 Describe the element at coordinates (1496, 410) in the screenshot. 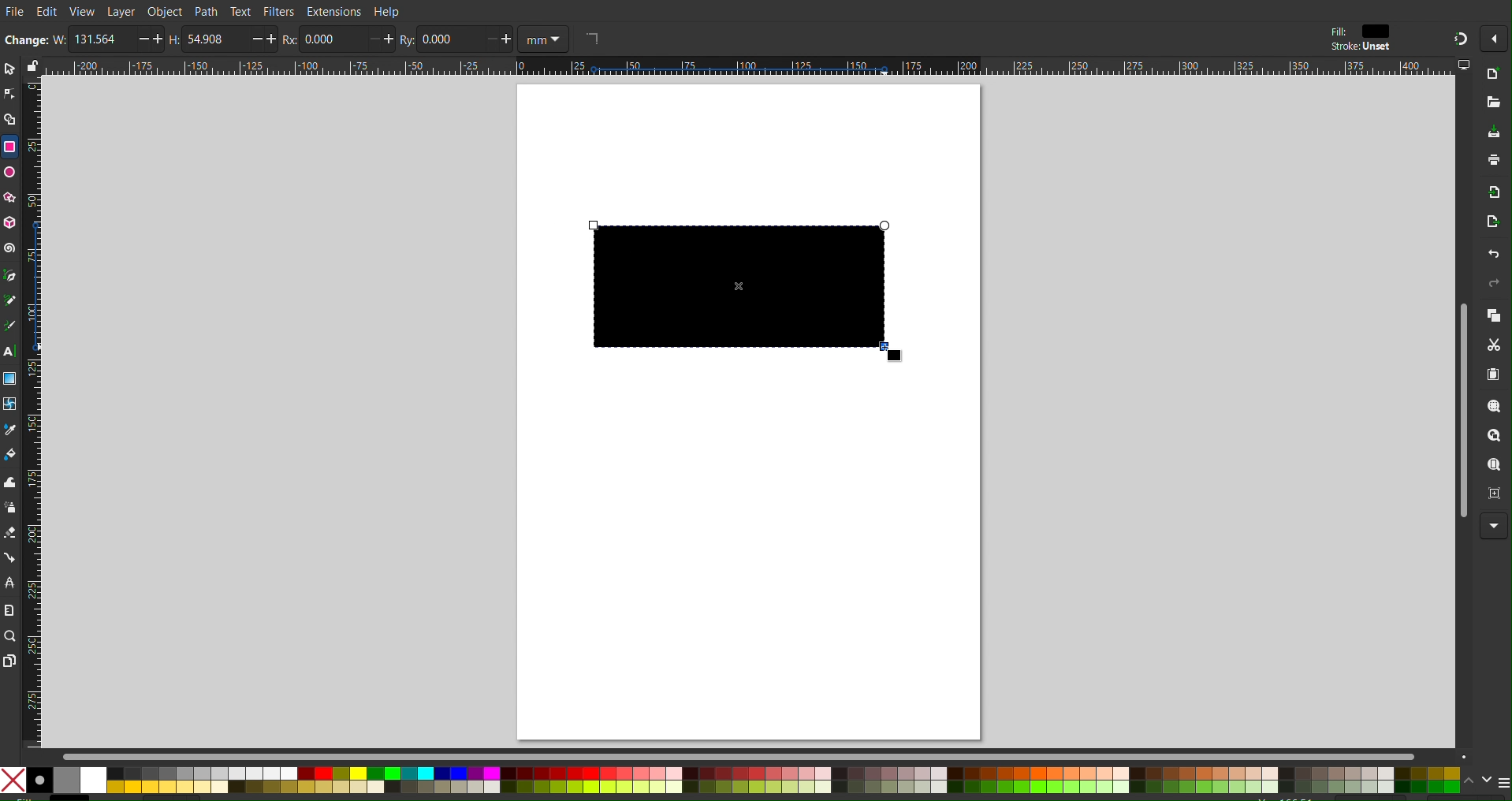

I see `Zoom Selection` at that location.